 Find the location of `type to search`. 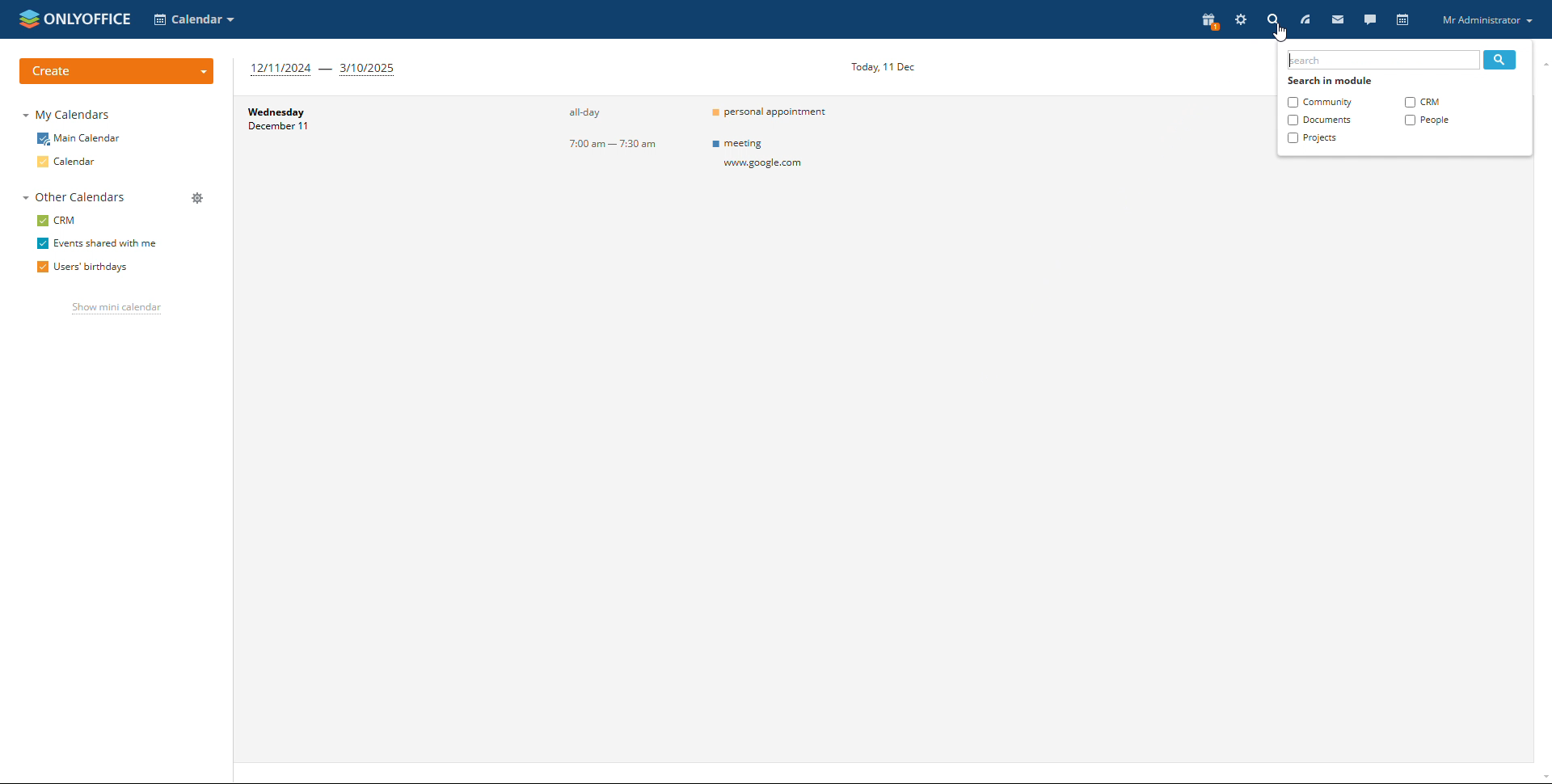

type to search is located at coordinates (1383, 60).